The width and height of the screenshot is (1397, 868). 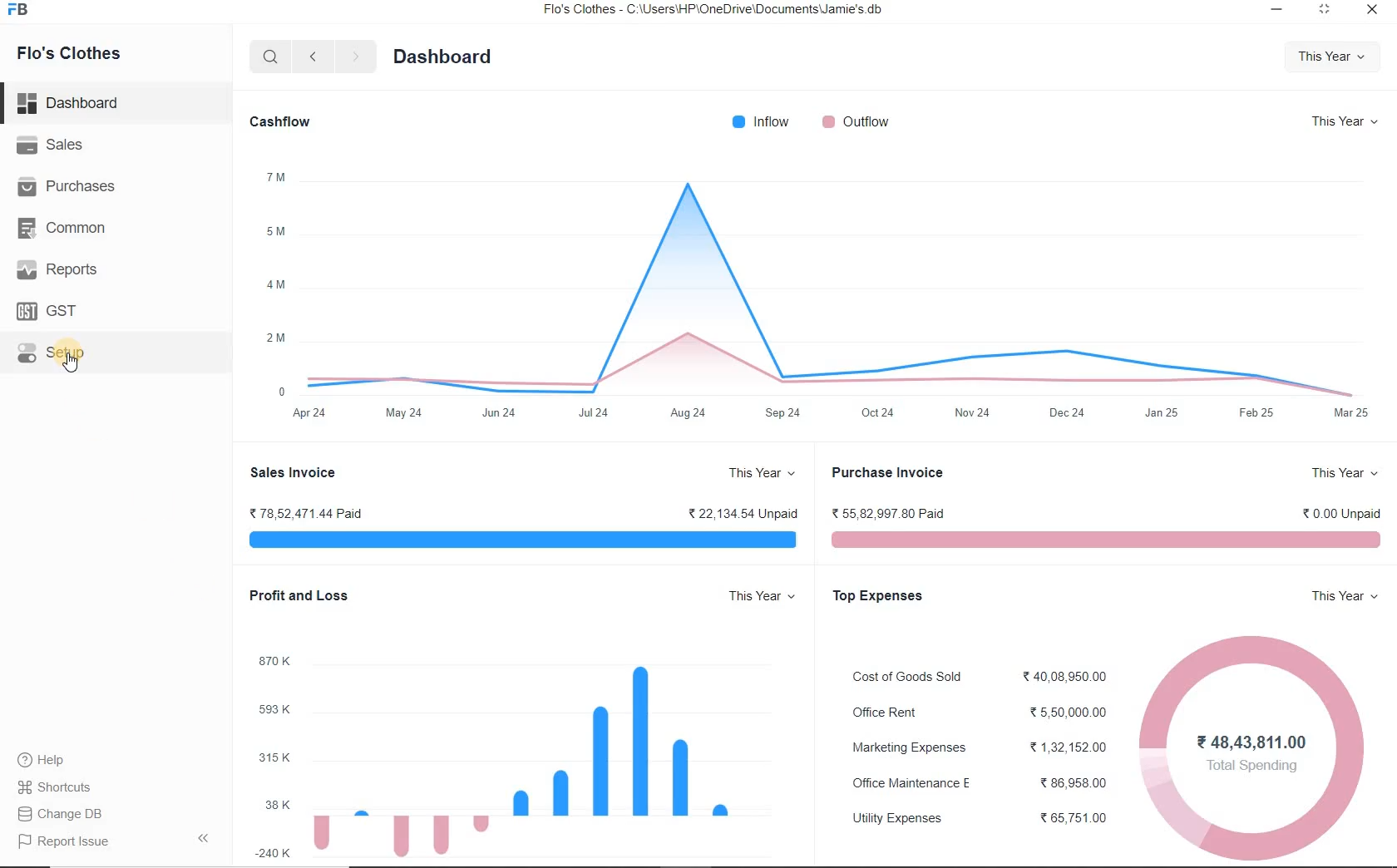 What do you see at coordinates (879, 596) in the screenshot?
I see `top expenses` at bounding box center [879, 596].